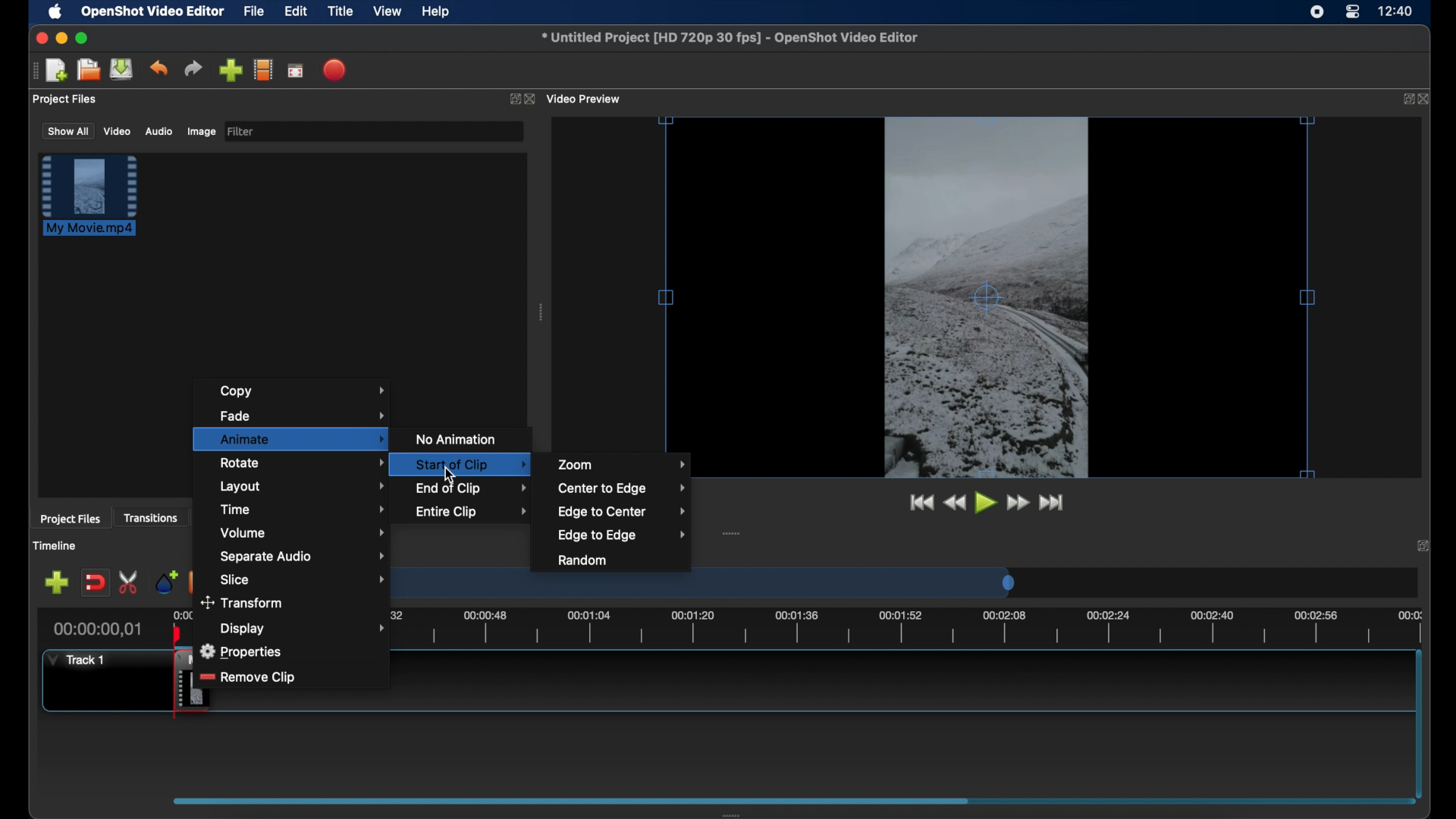 The width and height of the screenshot is (1456, 819). What do you see at coordinates (165, 686) in the screenshot?
I see `clip` at bounding box center [165, 686].